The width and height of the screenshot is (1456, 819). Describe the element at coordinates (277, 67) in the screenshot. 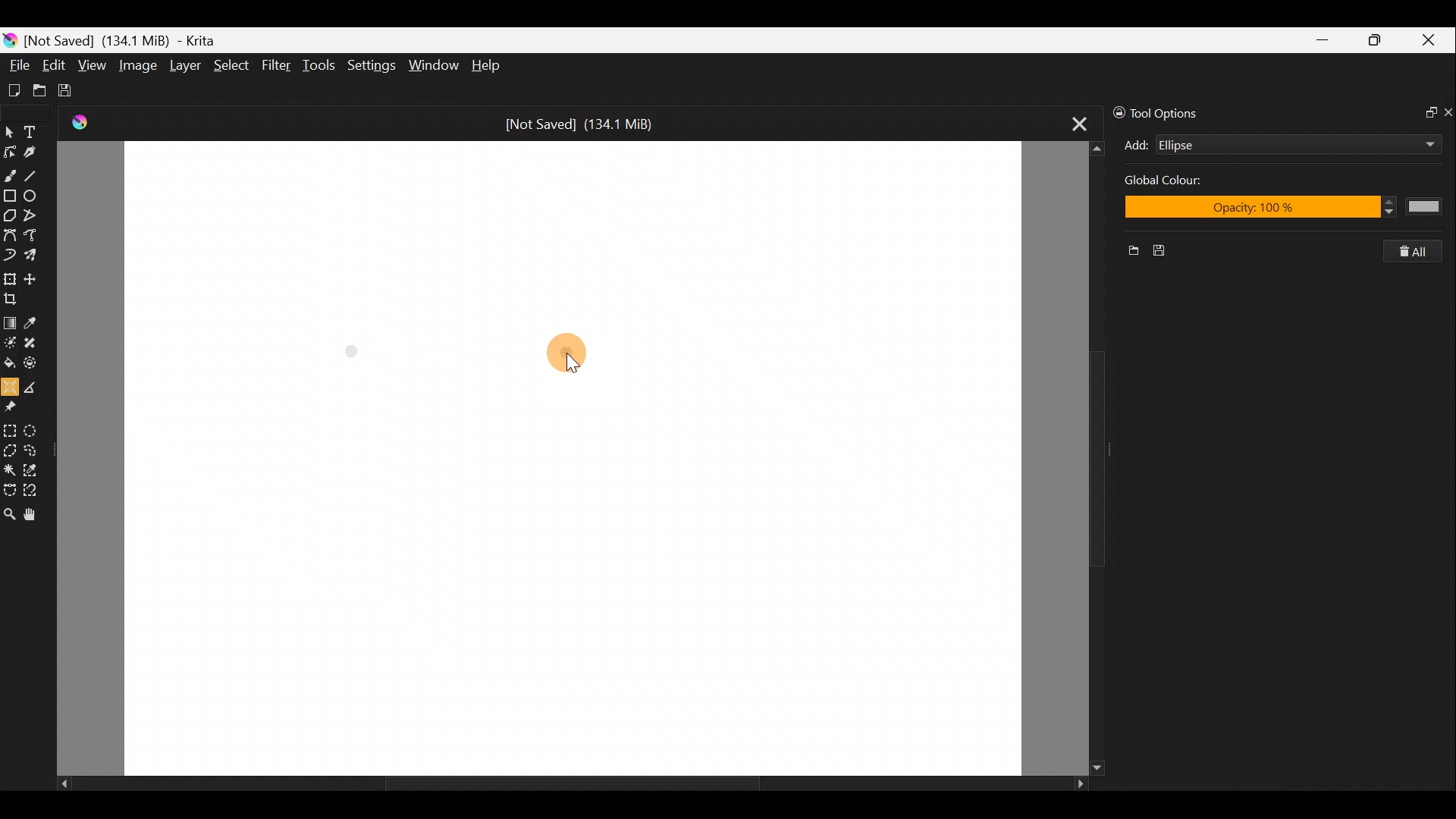

I see `Filter` at that location.